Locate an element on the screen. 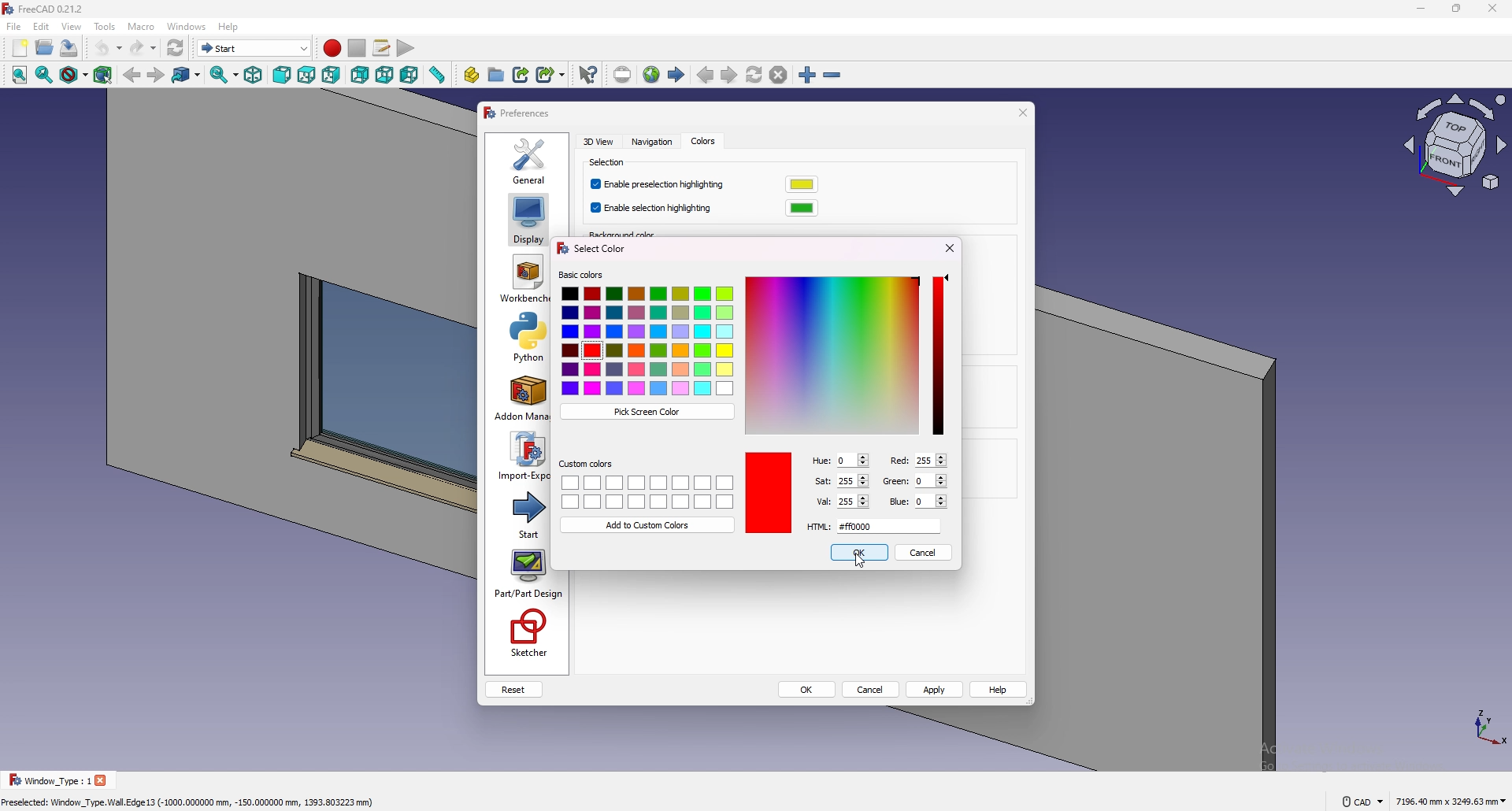  front is located at coordinates (283, 76).